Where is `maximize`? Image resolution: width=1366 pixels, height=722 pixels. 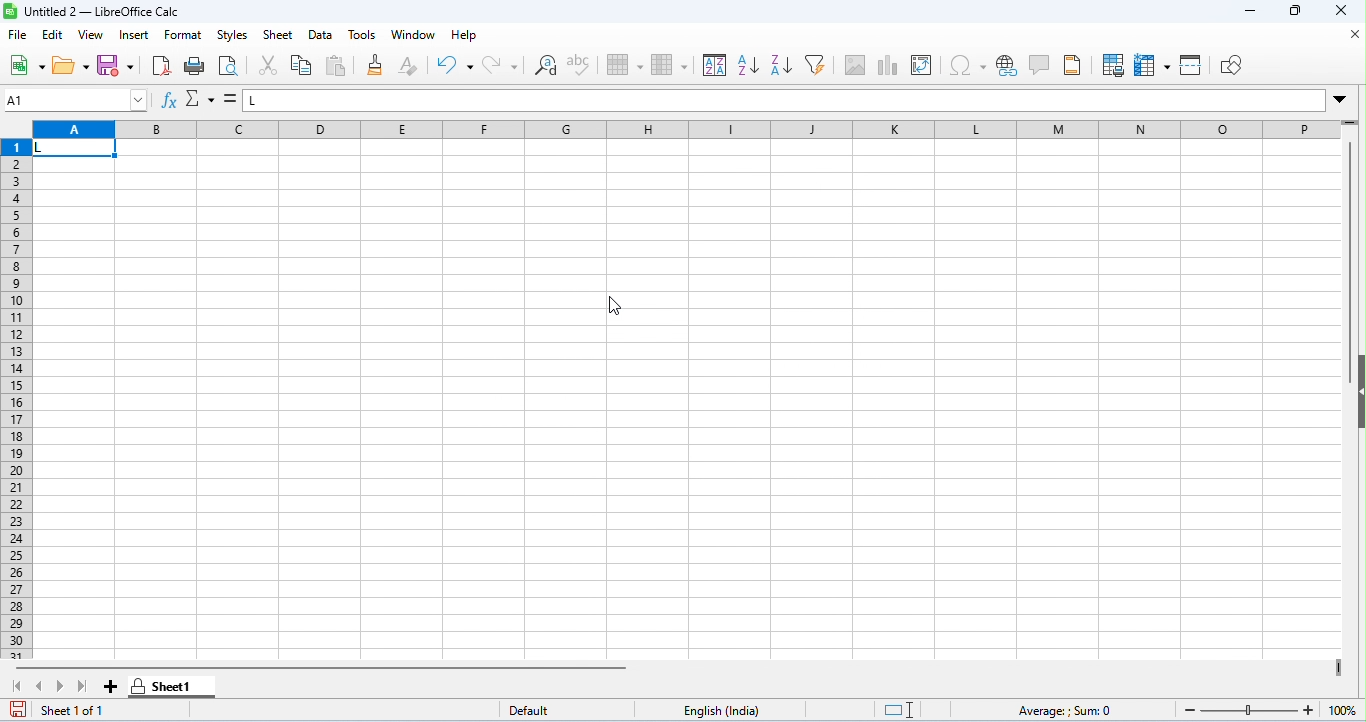 maximize is located at coordinates (1294, 13).